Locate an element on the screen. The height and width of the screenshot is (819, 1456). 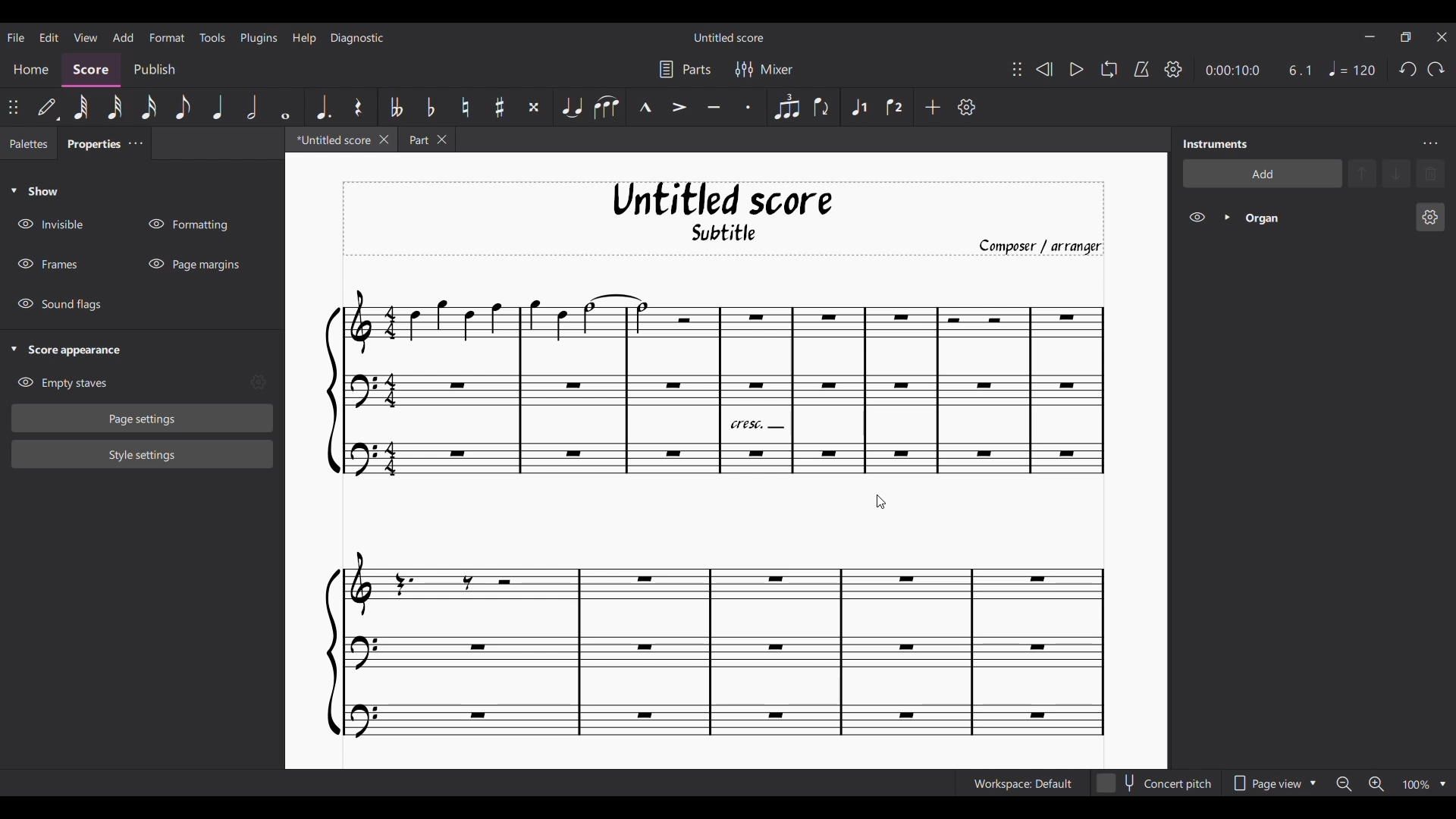
Instruments panel settings is located at coordinates (1430, 143).